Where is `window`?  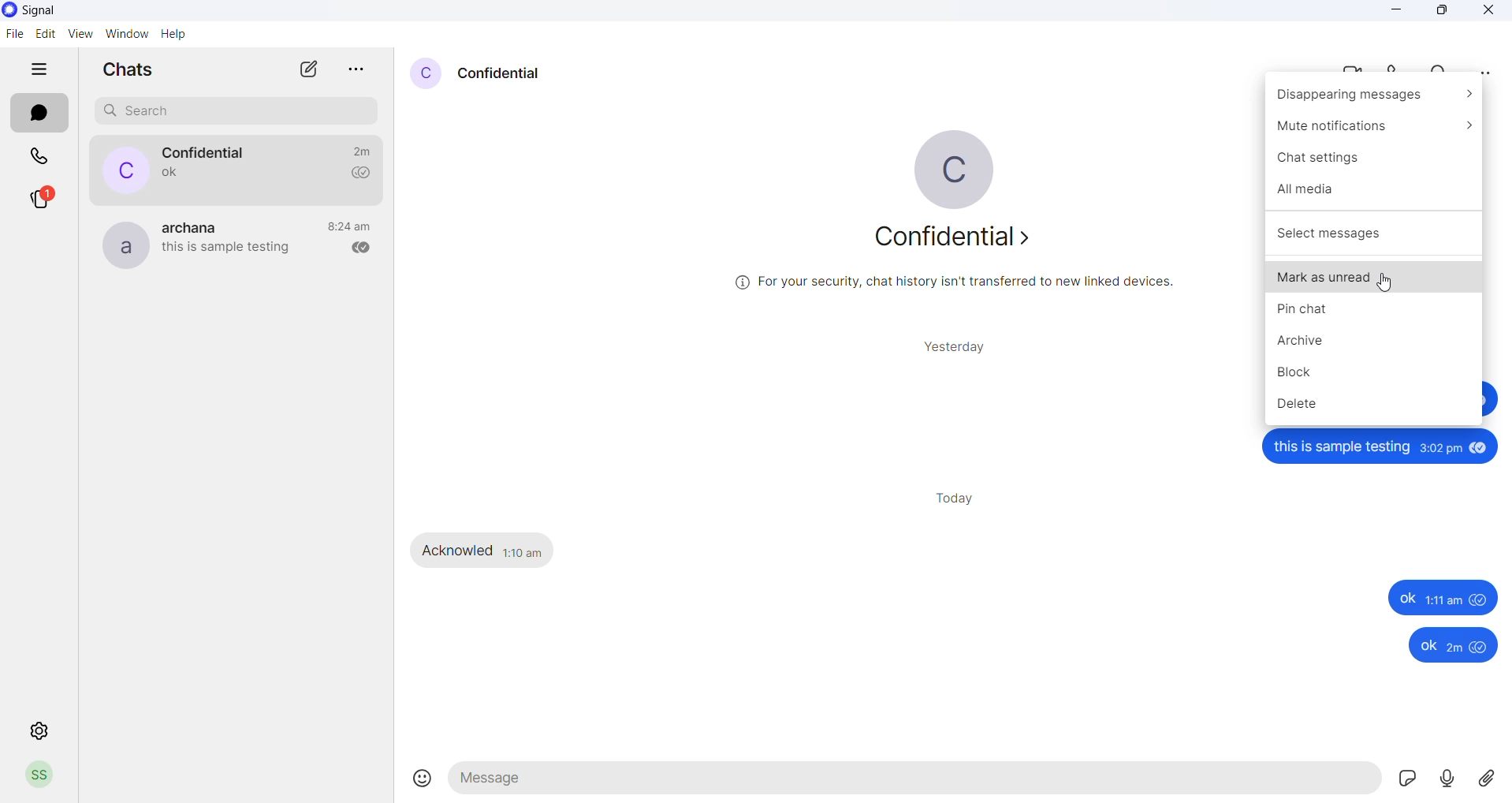
window is located at coordinates (126, 33).